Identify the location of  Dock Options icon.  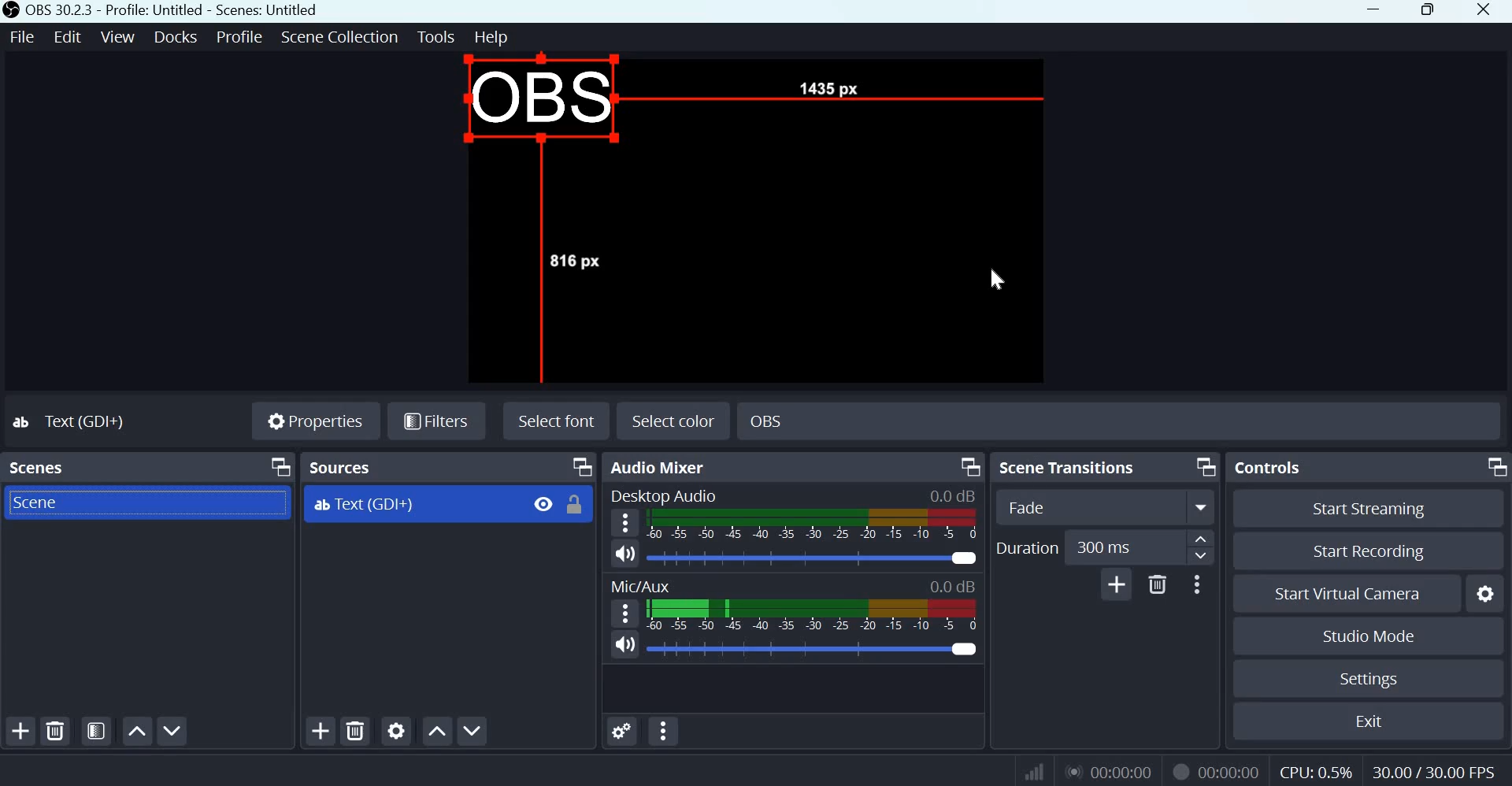
(280, 467).